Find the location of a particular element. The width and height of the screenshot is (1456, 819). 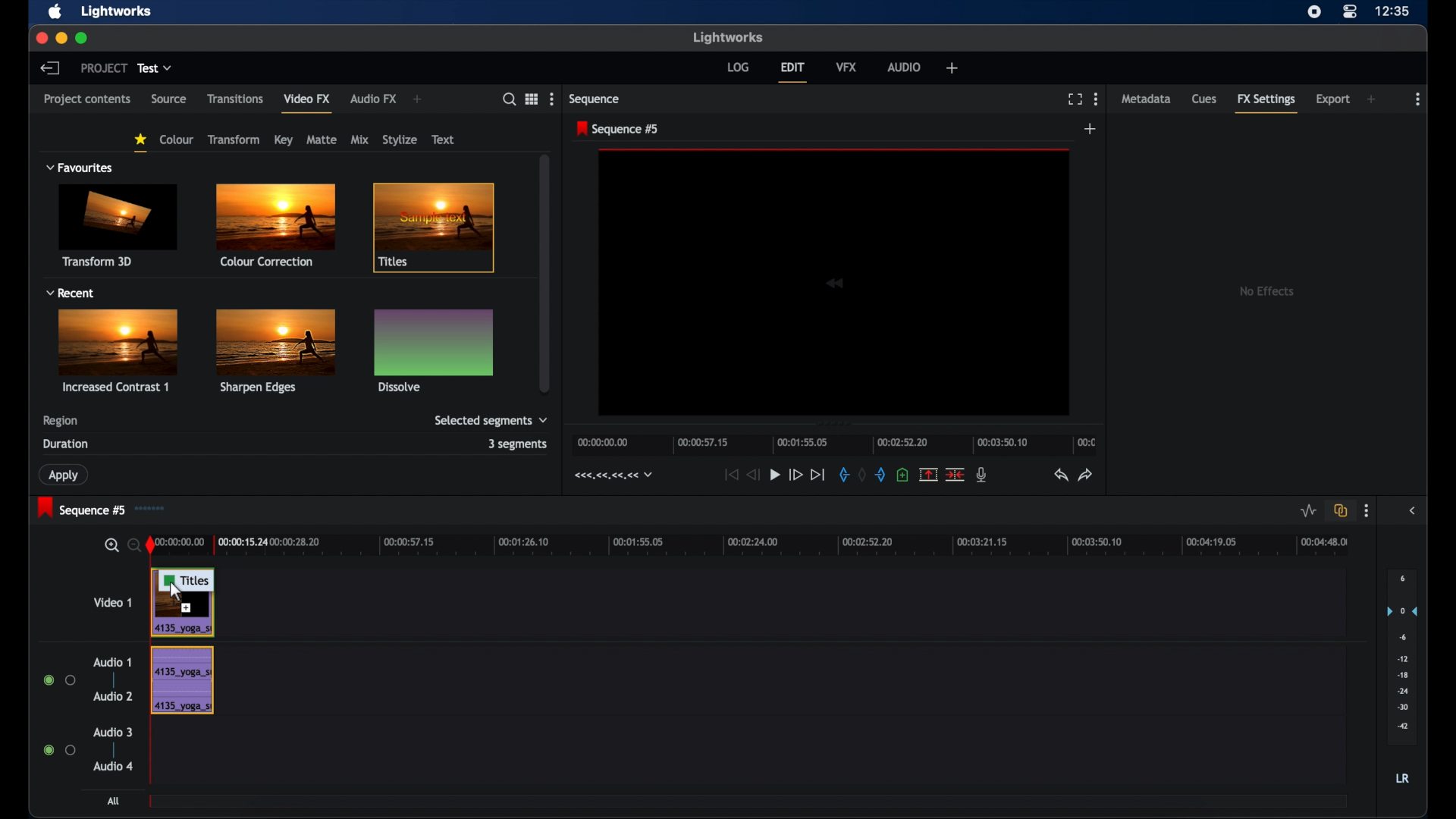

colour is located at coordinates (176, 140).